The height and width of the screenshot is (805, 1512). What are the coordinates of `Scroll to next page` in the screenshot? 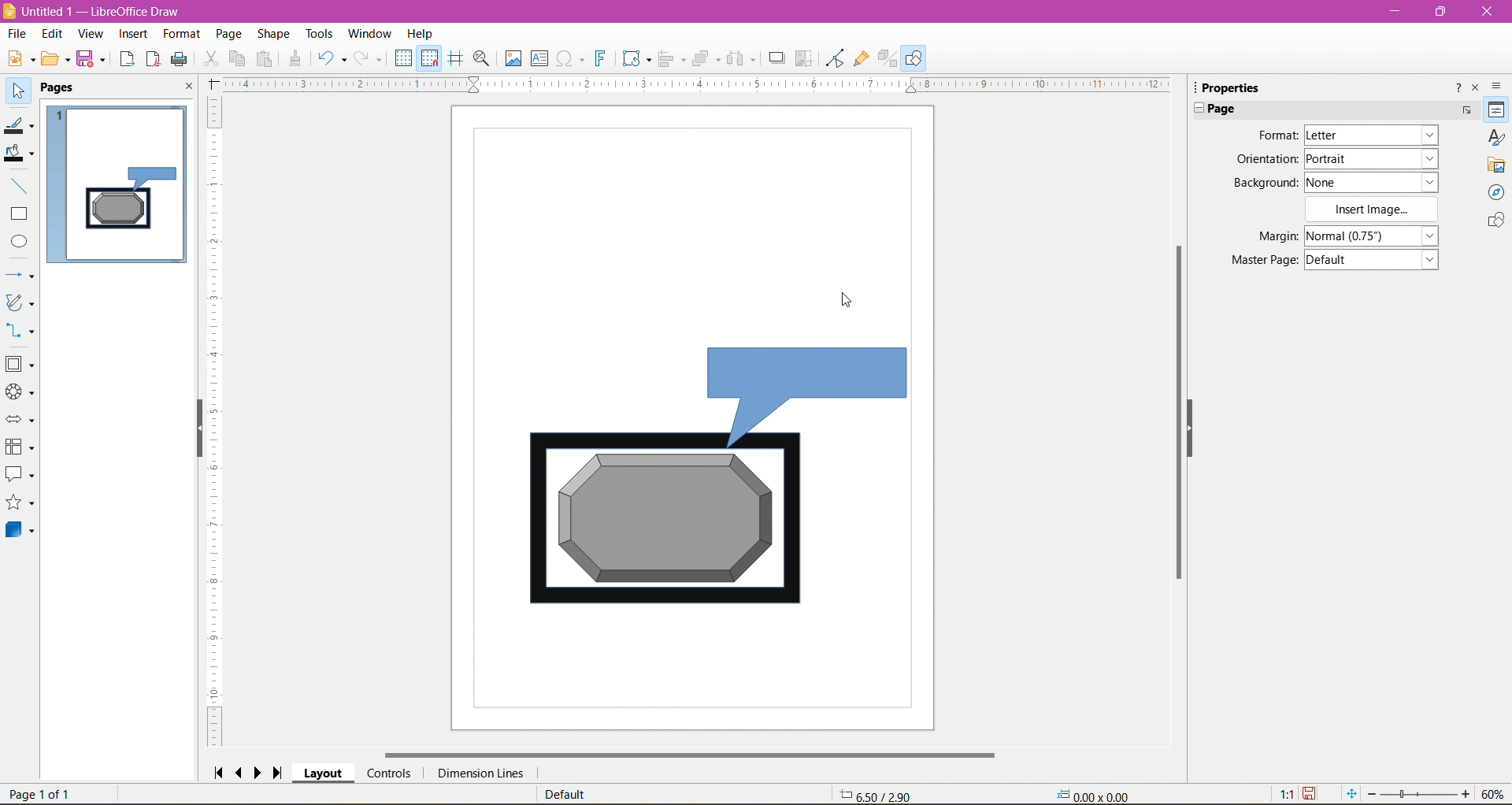 It's located at (261, 772).